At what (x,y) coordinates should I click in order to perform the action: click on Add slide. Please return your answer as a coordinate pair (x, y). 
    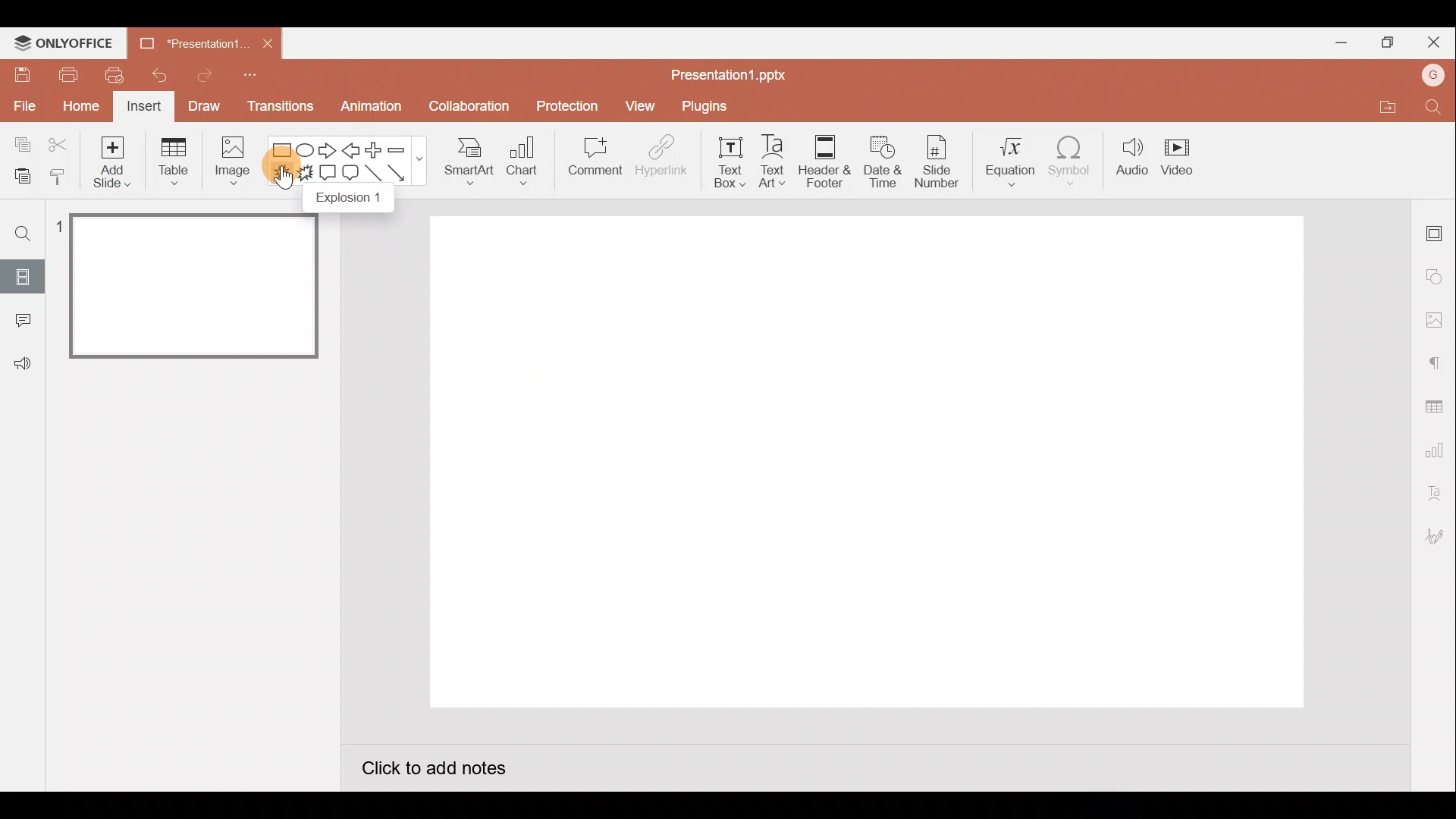
    Looking at the image, I should click on (111, 162).